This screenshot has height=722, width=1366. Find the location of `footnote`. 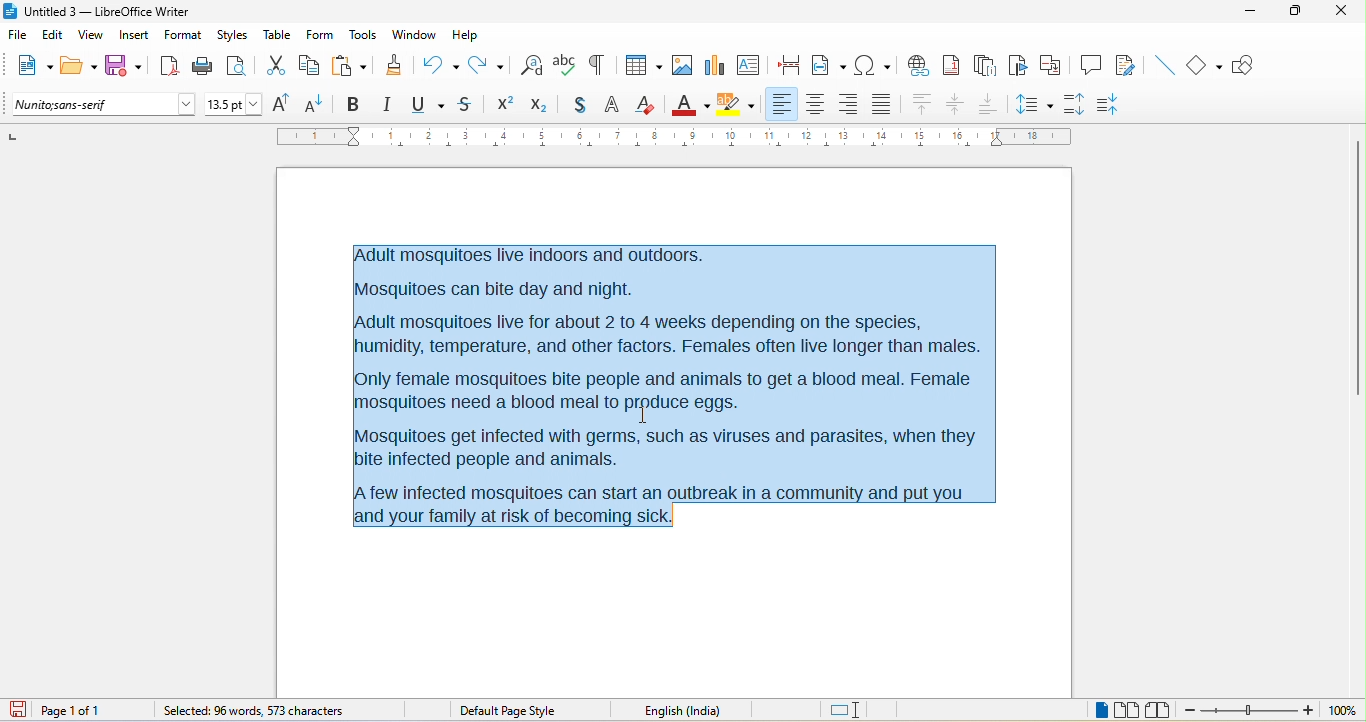

footnote is located at coordinates (955, 65).